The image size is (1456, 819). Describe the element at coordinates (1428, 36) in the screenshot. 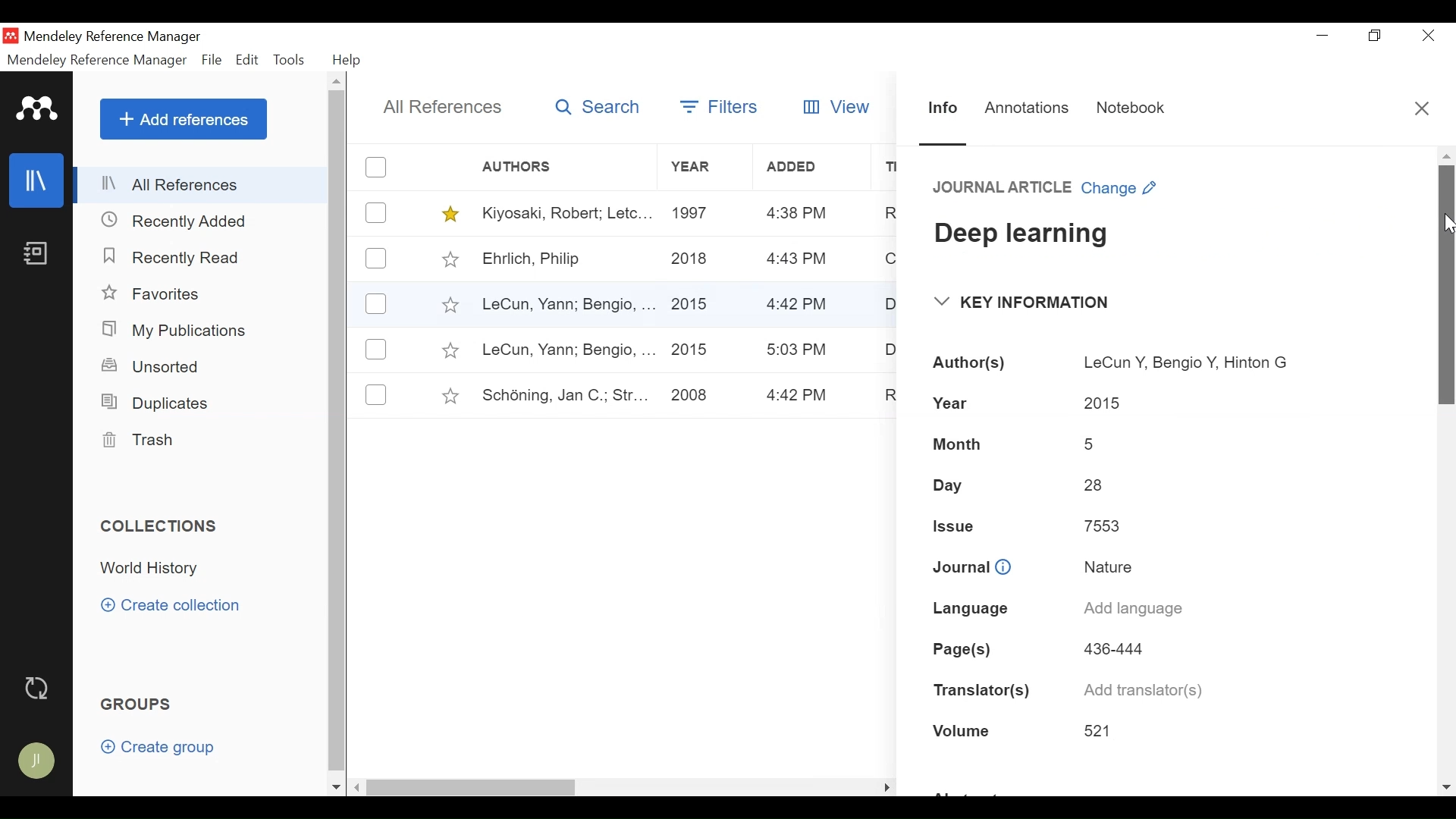

I see `Close` at that location.